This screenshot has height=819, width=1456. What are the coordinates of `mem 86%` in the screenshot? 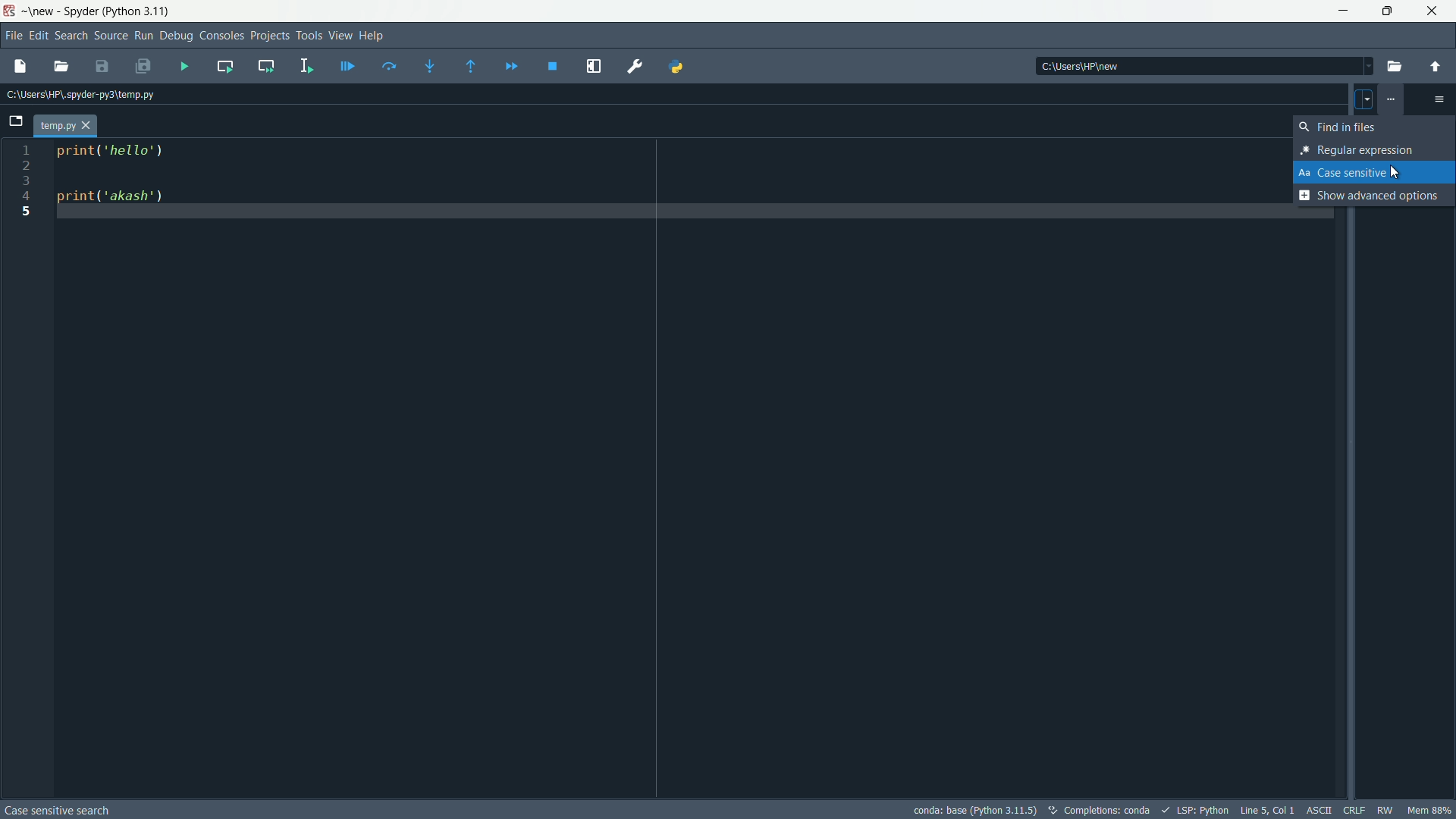 It's located at (1429, 810).